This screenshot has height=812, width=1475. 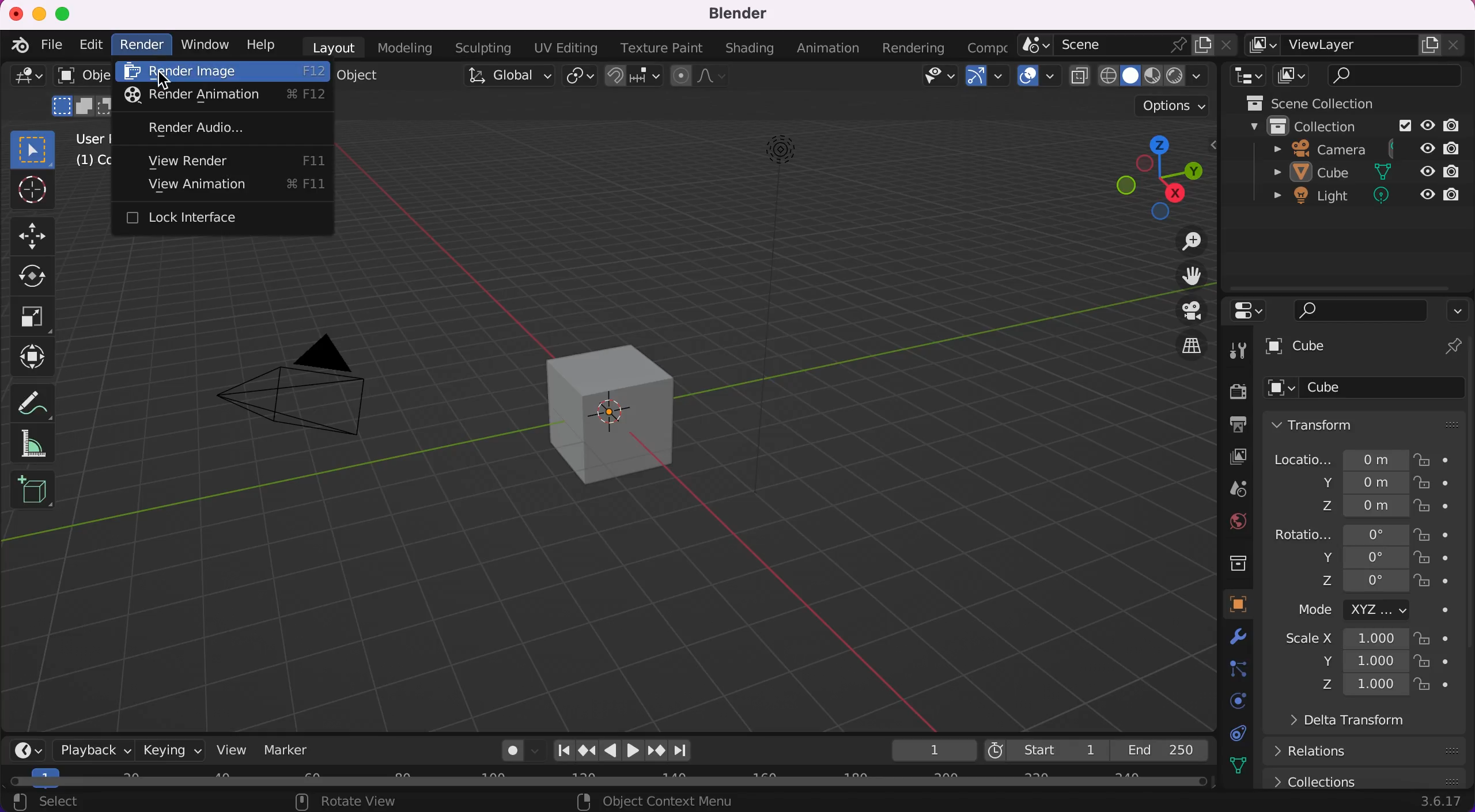 I want to click on lock, so click(x=1431, y=638).